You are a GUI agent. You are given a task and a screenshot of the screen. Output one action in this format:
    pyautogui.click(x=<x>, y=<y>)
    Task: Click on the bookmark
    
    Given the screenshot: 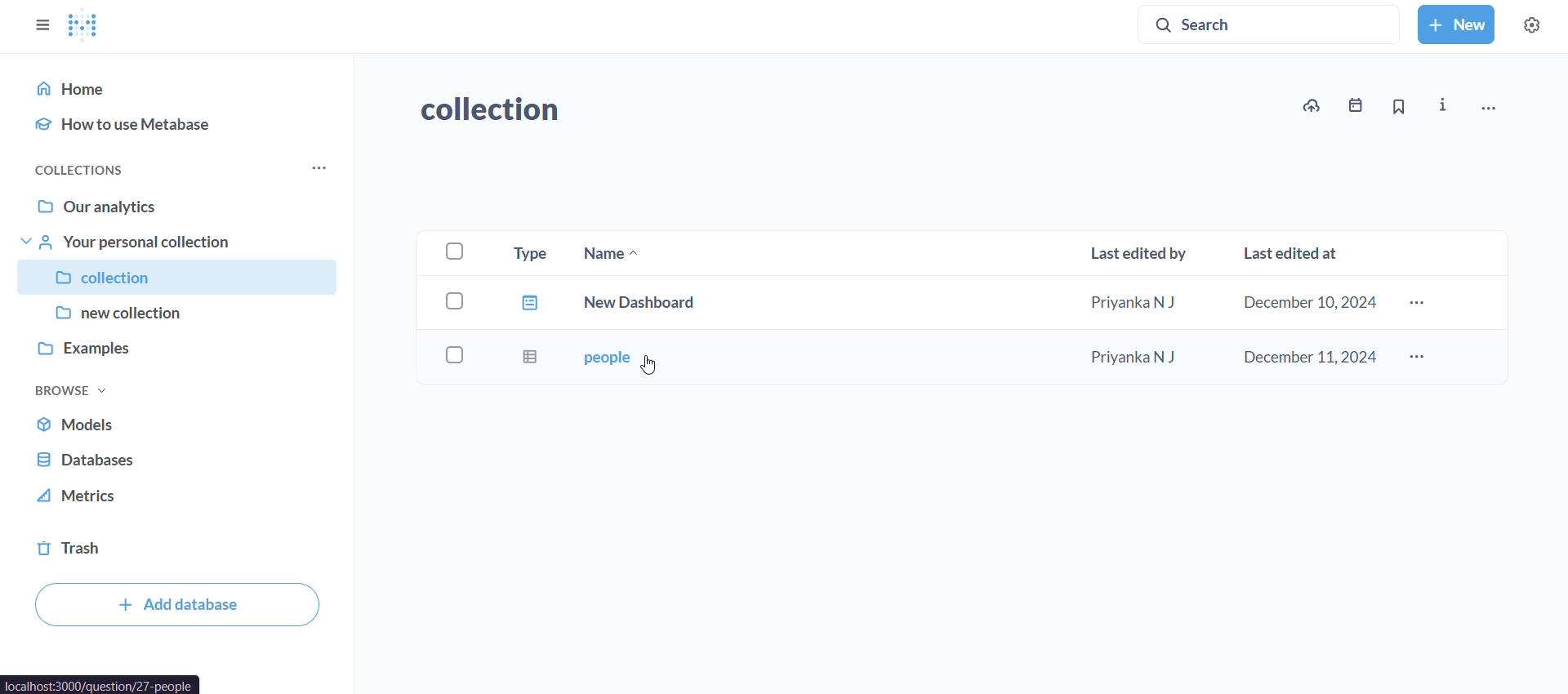 What is the action you would take?
    pyautogui.click(x=1405, y=108)
    